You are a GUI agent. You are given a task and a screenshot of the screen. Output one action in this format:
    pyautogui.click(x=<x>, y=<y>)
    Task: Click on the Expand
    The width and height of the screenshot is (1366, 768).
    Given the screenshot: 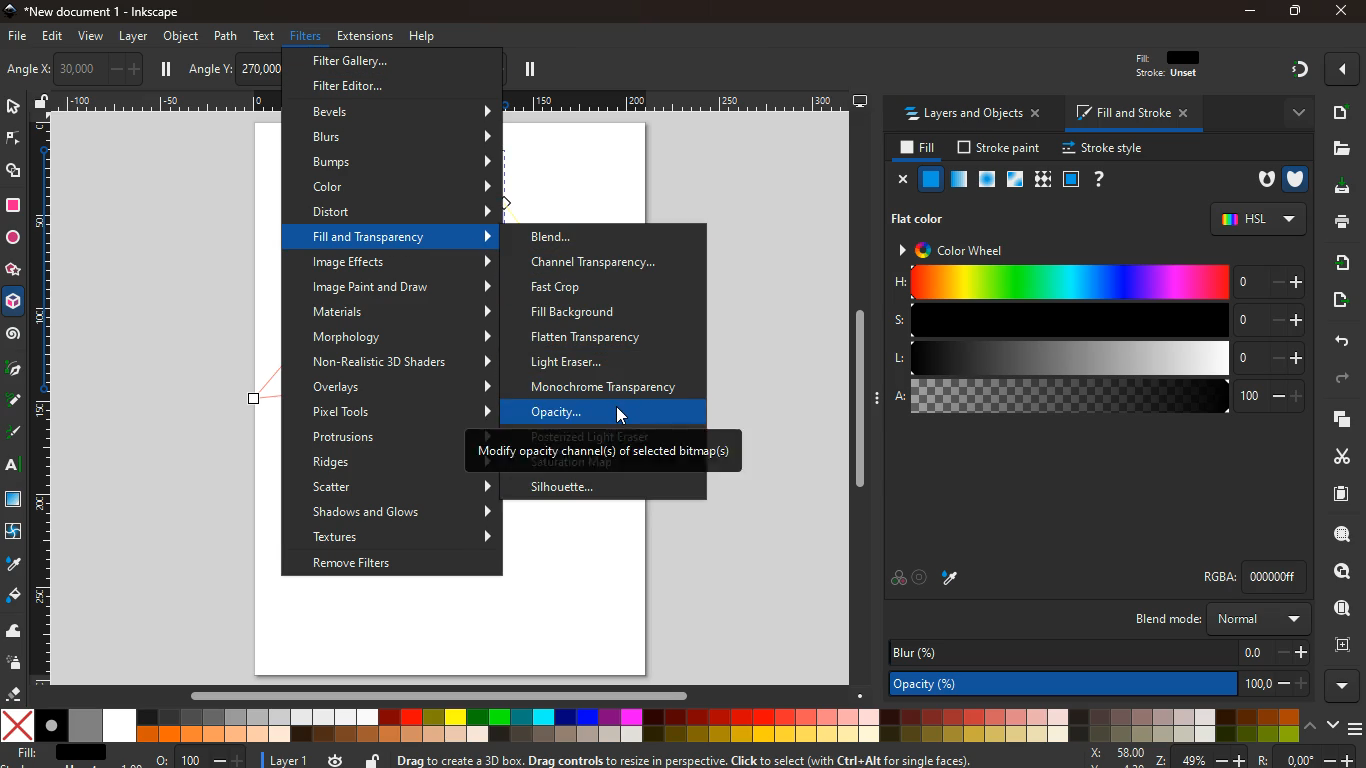 What is the action you would take?
    pyautogui.click(x=879, y=397)
    